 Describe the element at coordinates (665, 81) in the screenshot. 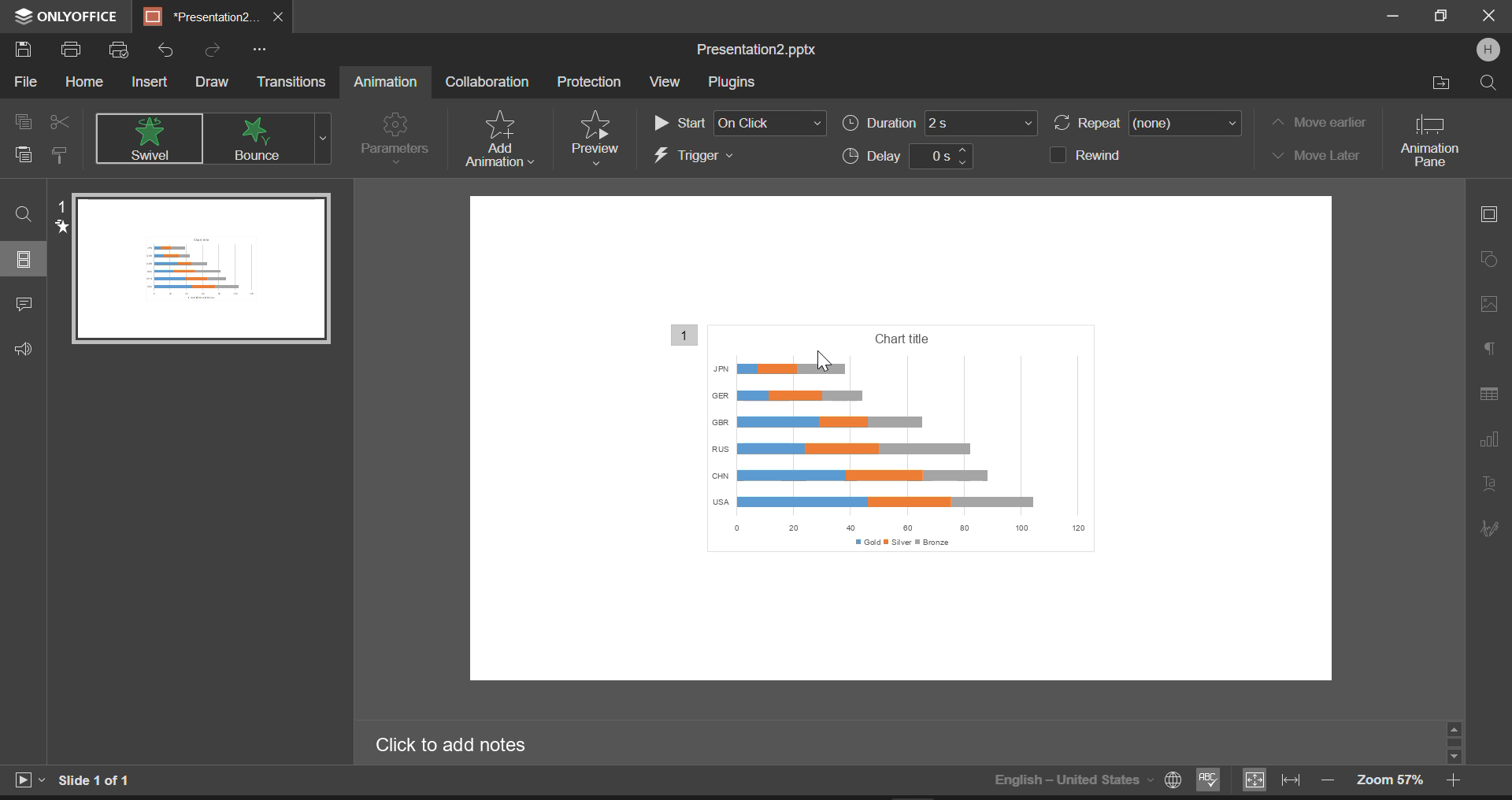

I see `View` at that location.